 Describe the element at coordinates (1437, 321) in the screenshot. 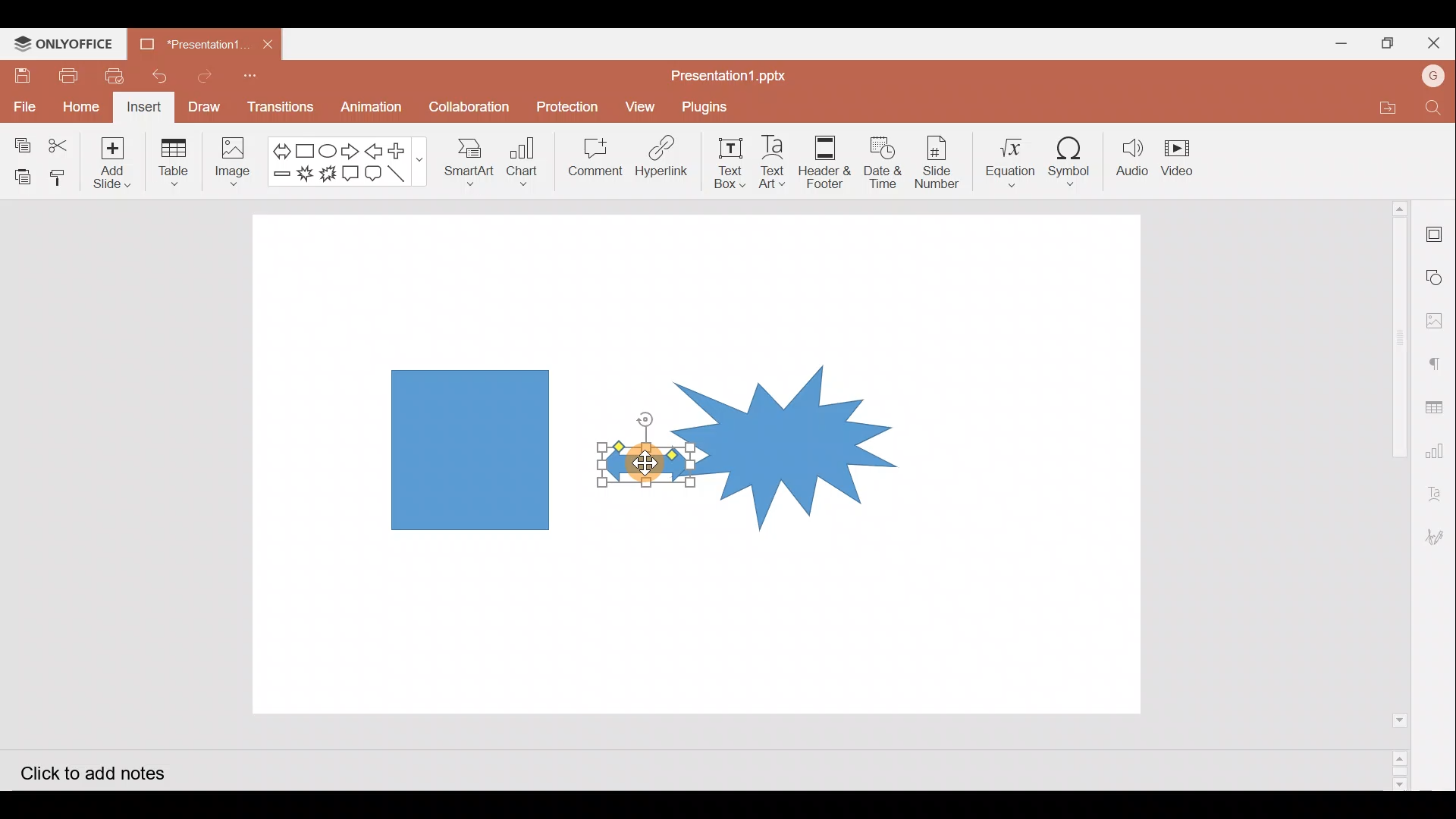

I see `Image settings` at that location.